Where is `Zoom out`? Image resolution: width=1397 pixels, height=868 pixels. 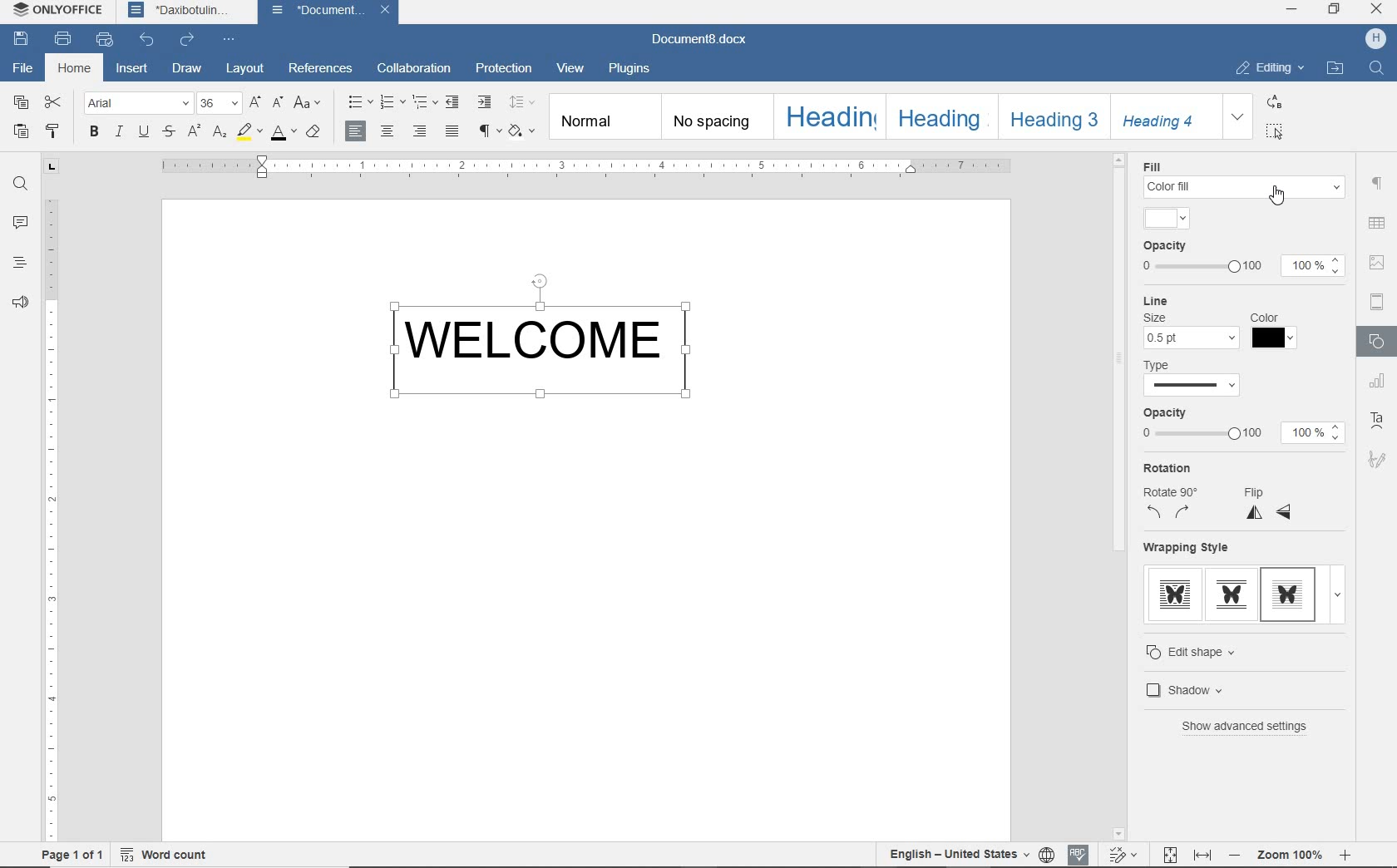 Zoom out is located at coordinates (1236, 854).